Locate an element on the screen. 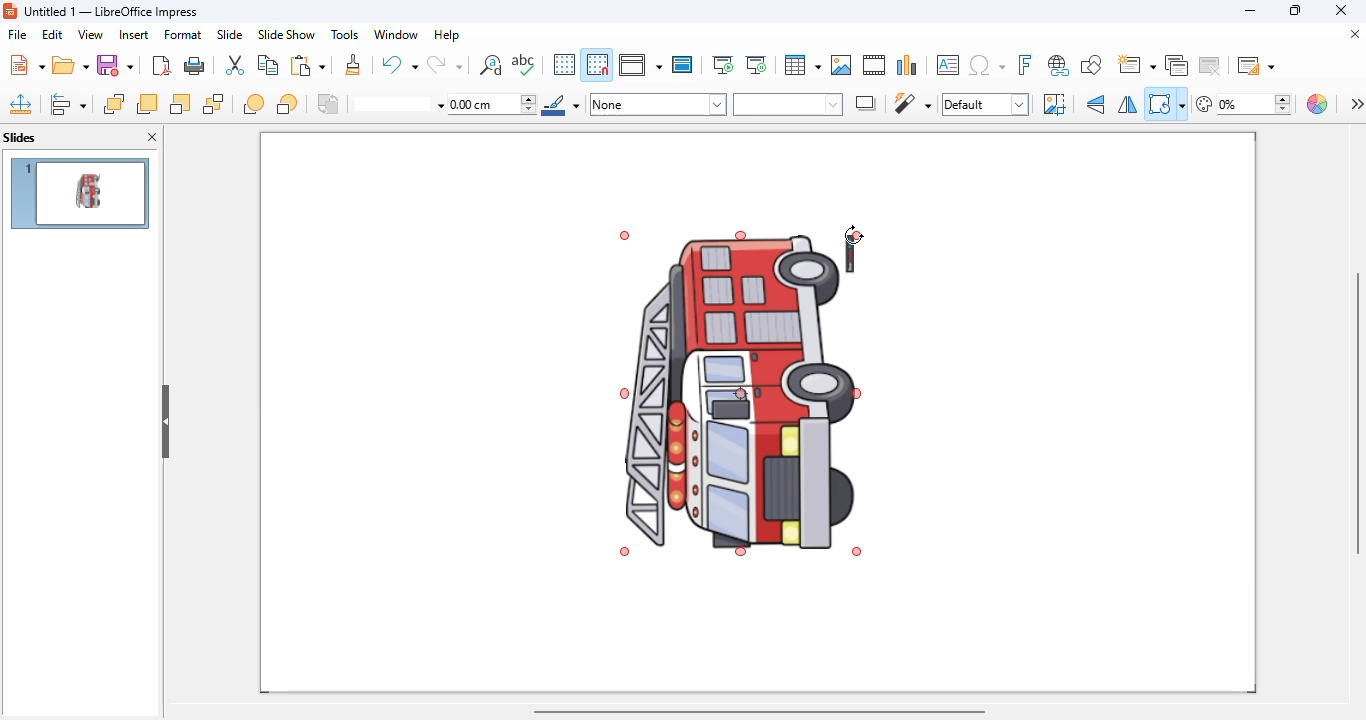  transformations is located at coordinates (1166, 104).